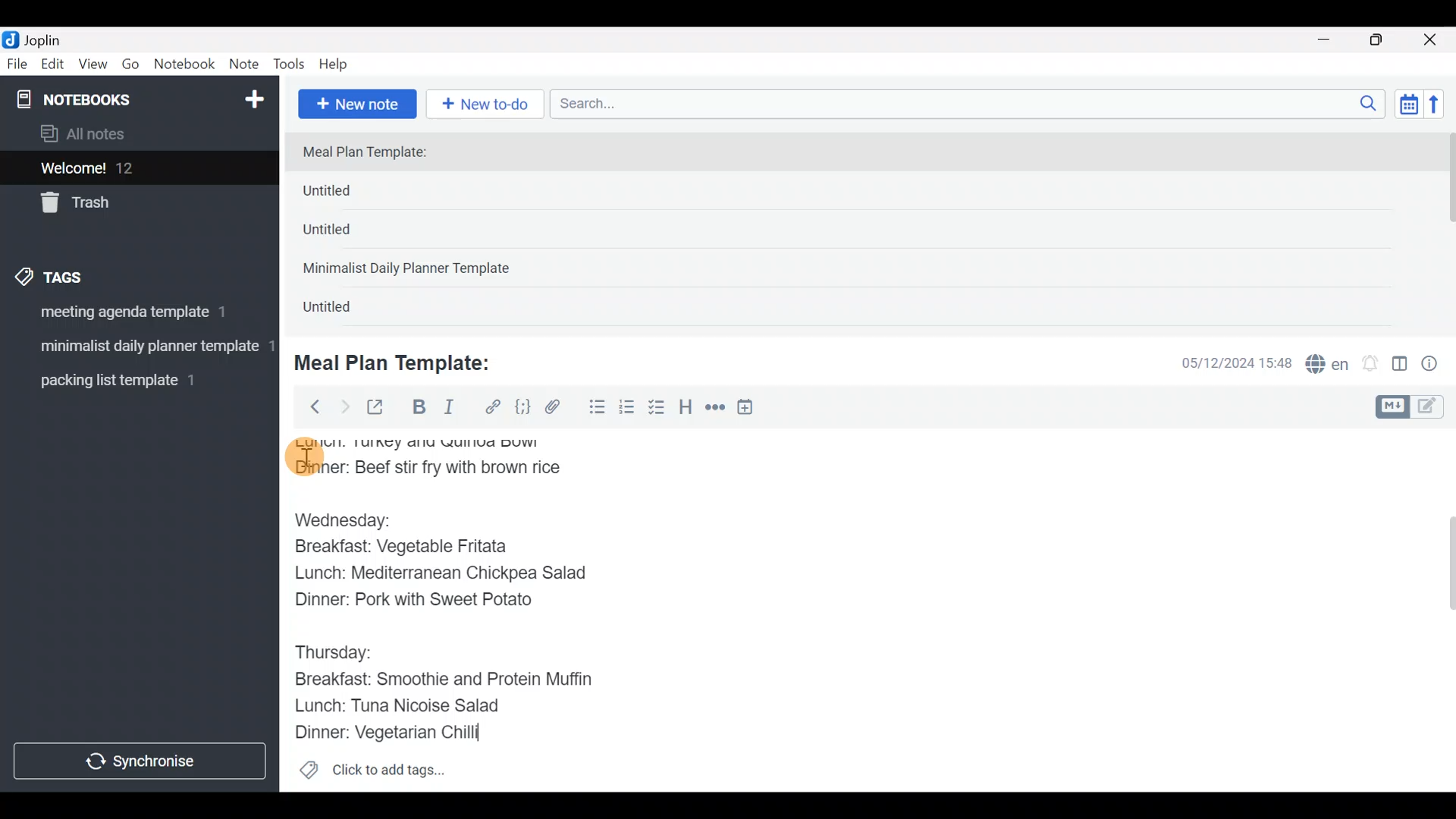 The height and width of the screenshot is (819, 1456). Describe the element at coordinates (1332, 38) in the screenshot. I see `Minimize` at that location.